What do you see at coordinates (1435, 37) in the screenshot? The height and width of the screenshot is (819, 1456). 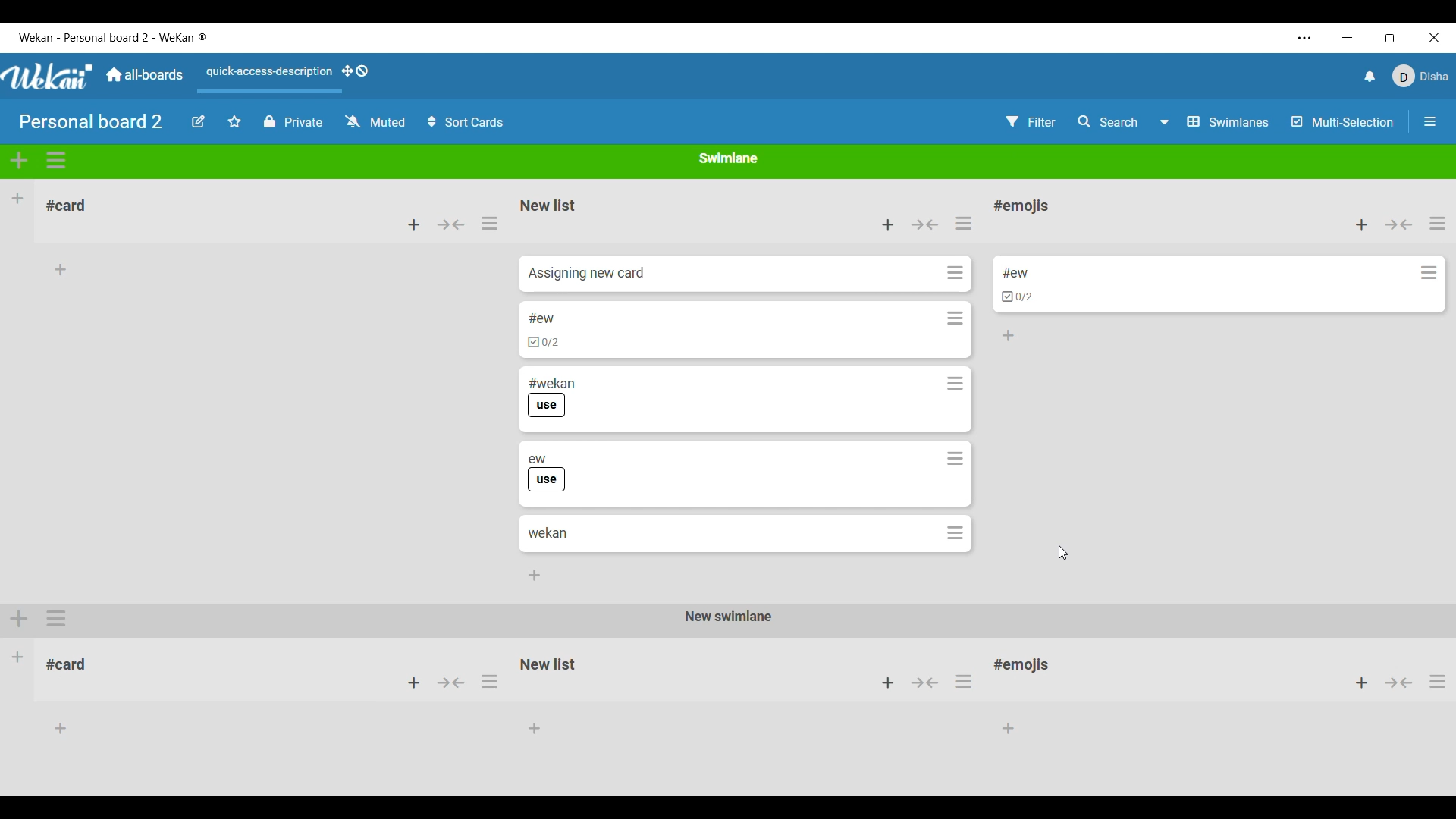 I see `Close interface` at bounding box center [1435, 37].